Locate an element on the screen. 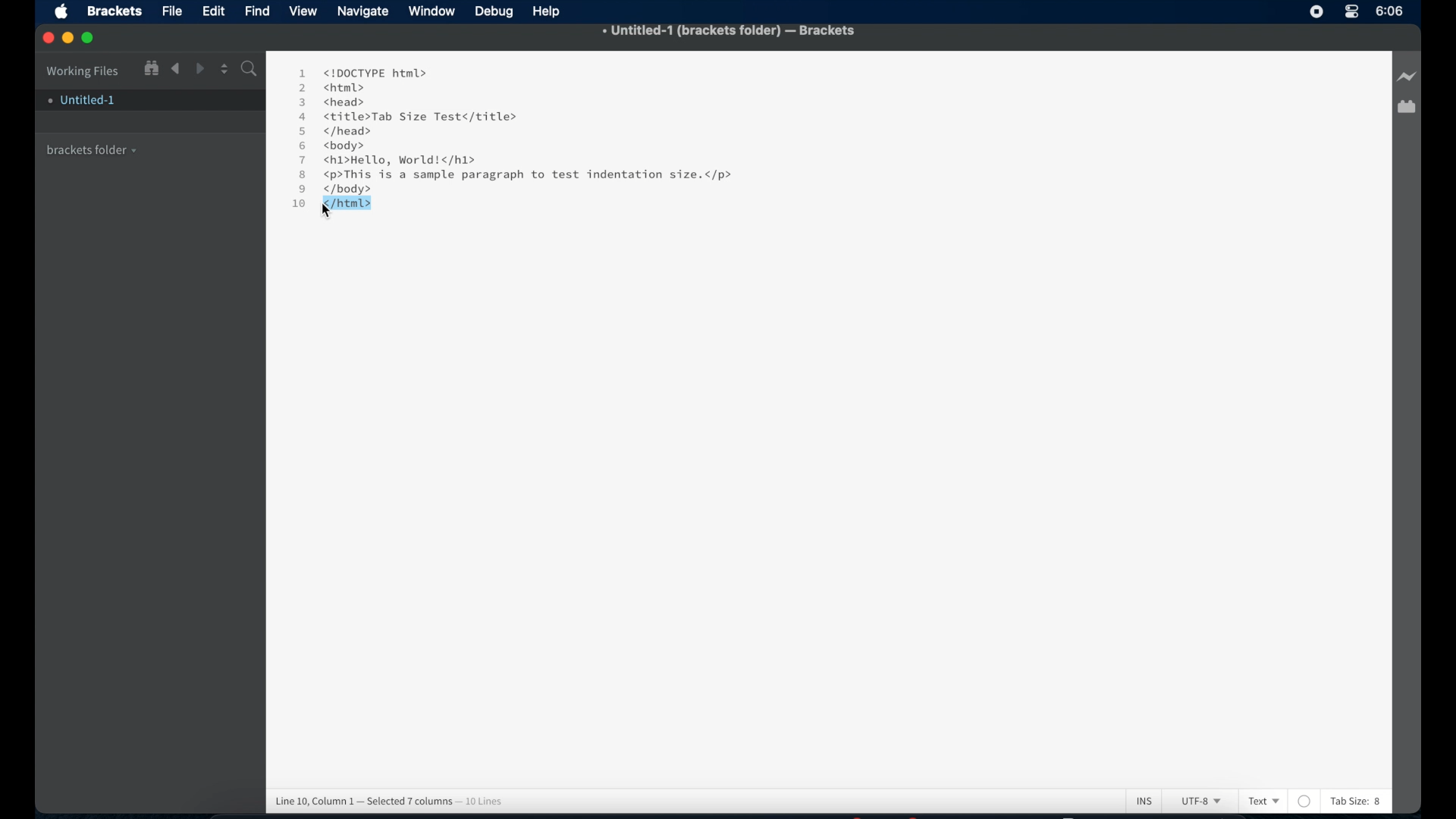 Image resolution: width=1456 pixels, height=819 pixels. INS is located at coordinates (1144, 800).